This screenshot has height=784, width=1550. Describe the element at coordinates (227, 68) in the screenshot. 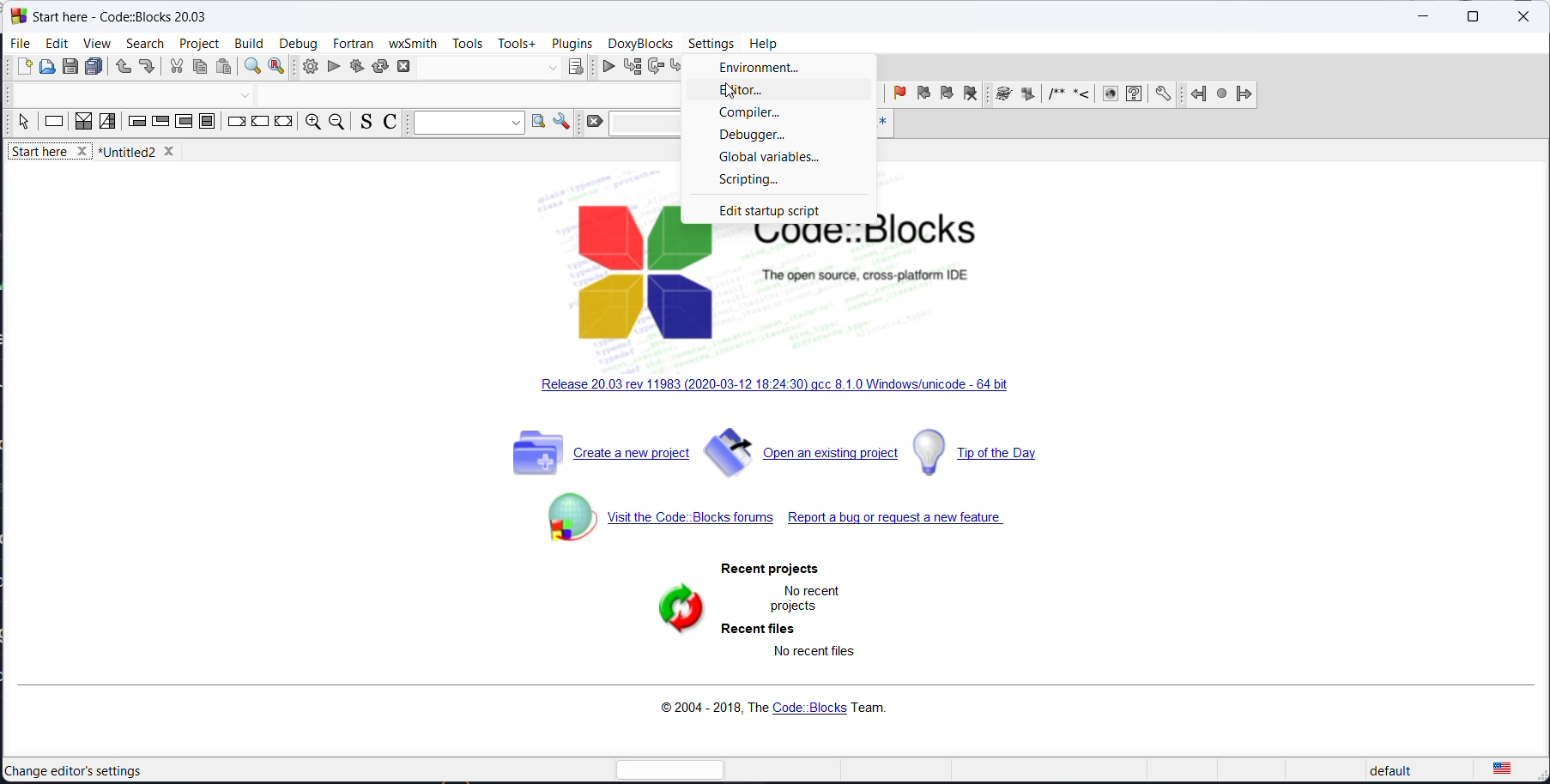

I see `paste` at that location.